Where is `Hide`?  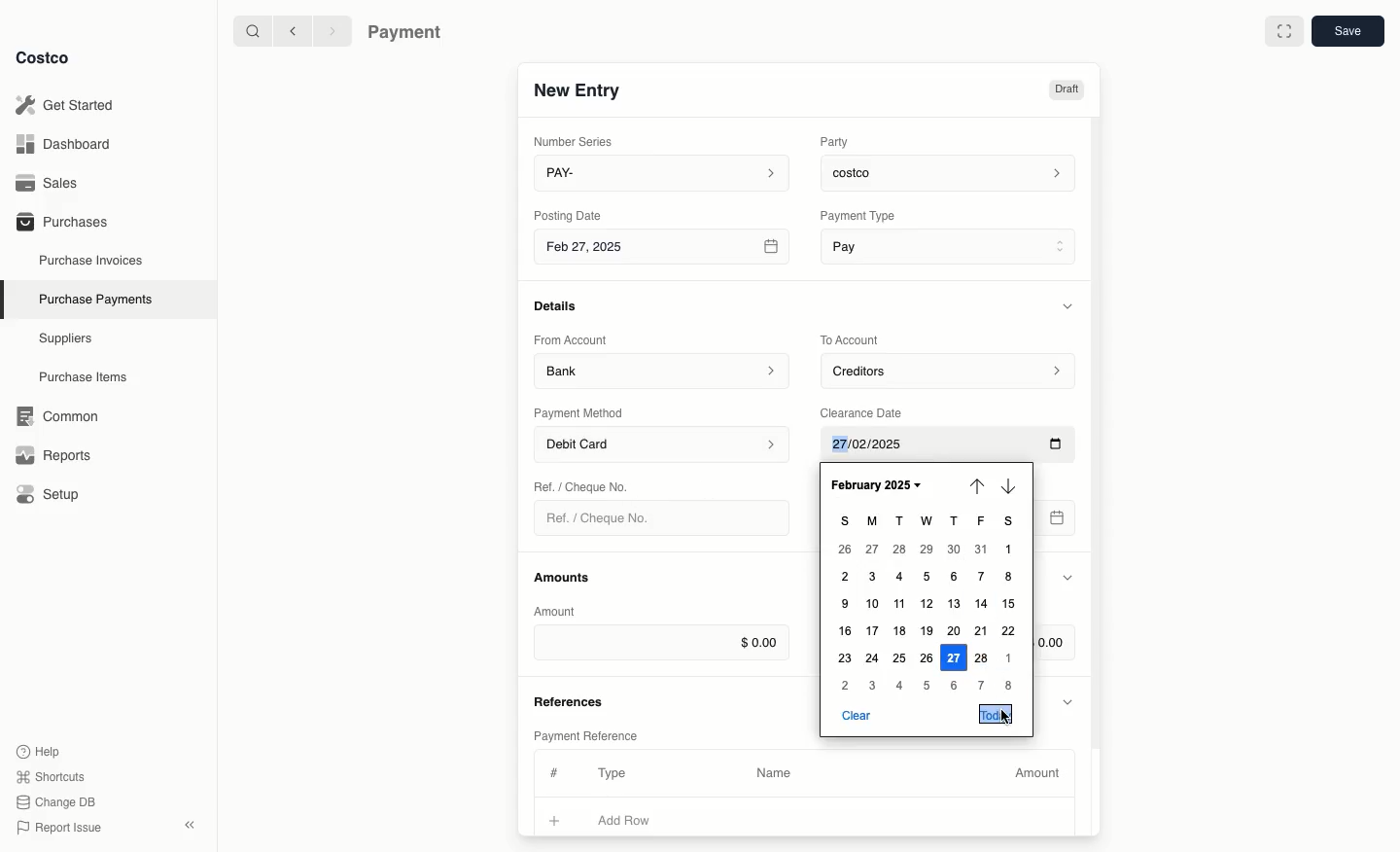
Hide is located at coordinates (1069, 700).